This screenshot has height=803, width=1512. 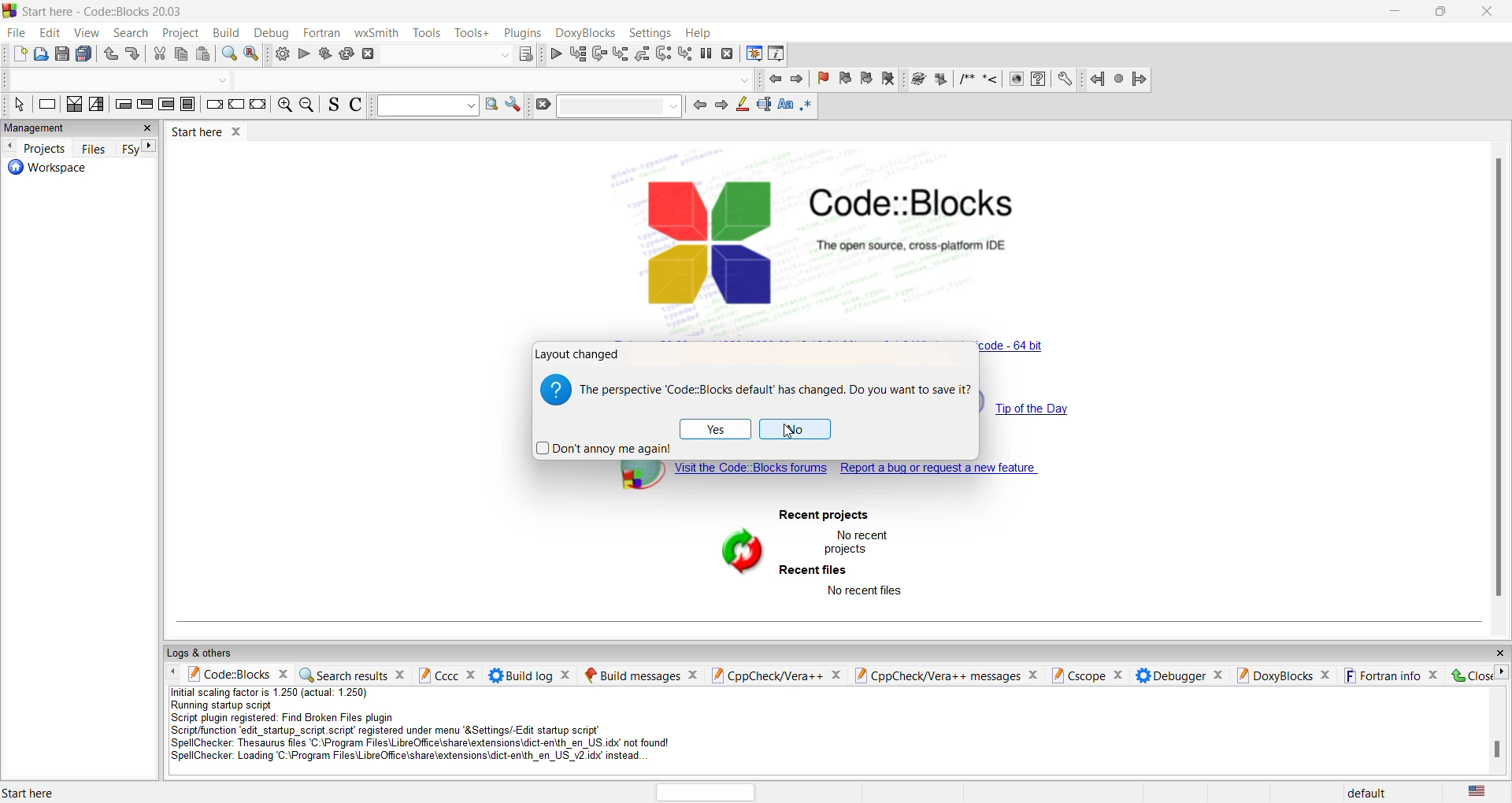 What do you see at coordinates (146, 105) in the screenshot?
I see `exit condition loop` at bounding box center [146, 105].